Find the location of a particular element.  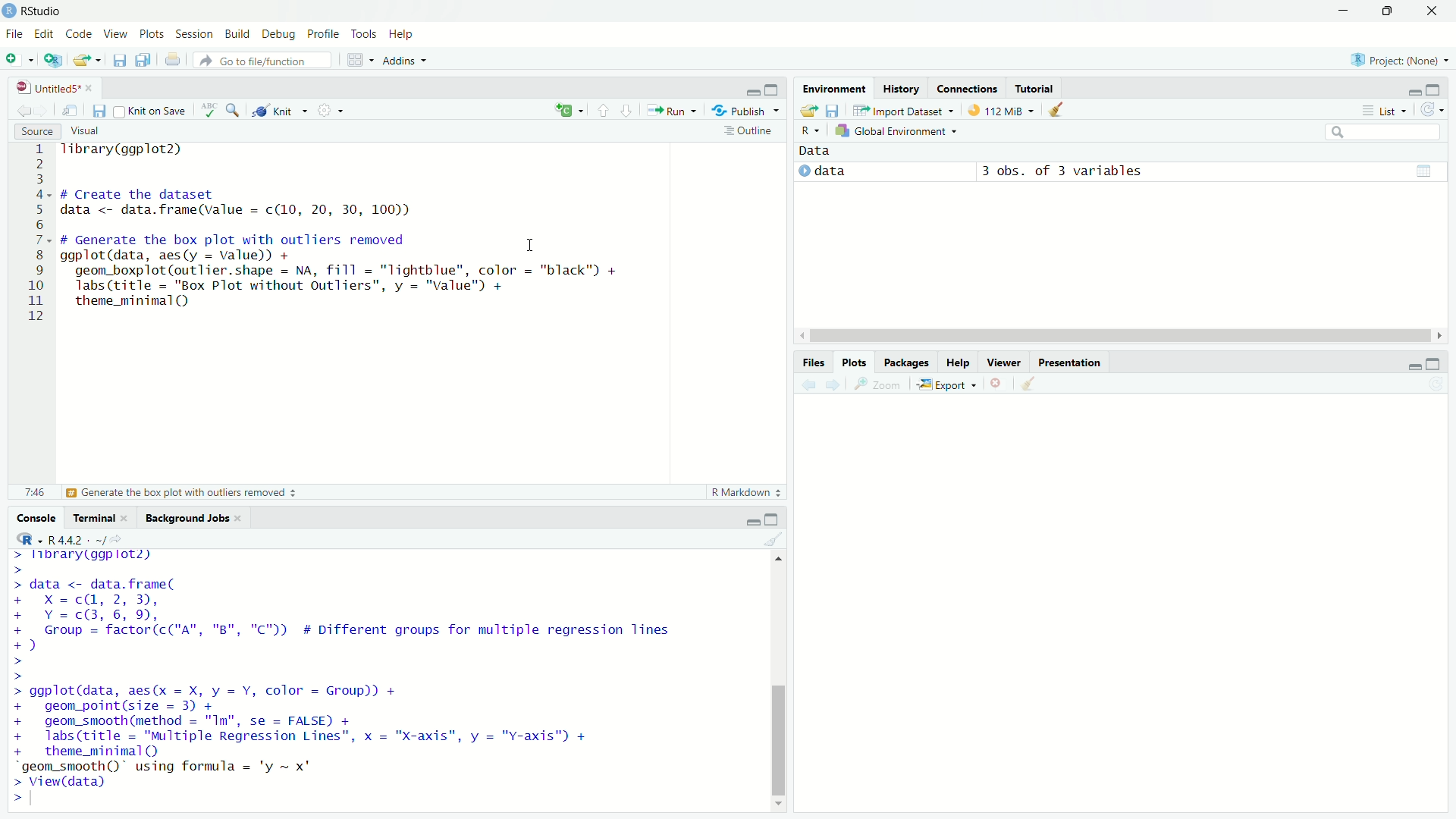

Background Jobs is located at coordinates (196, 518).